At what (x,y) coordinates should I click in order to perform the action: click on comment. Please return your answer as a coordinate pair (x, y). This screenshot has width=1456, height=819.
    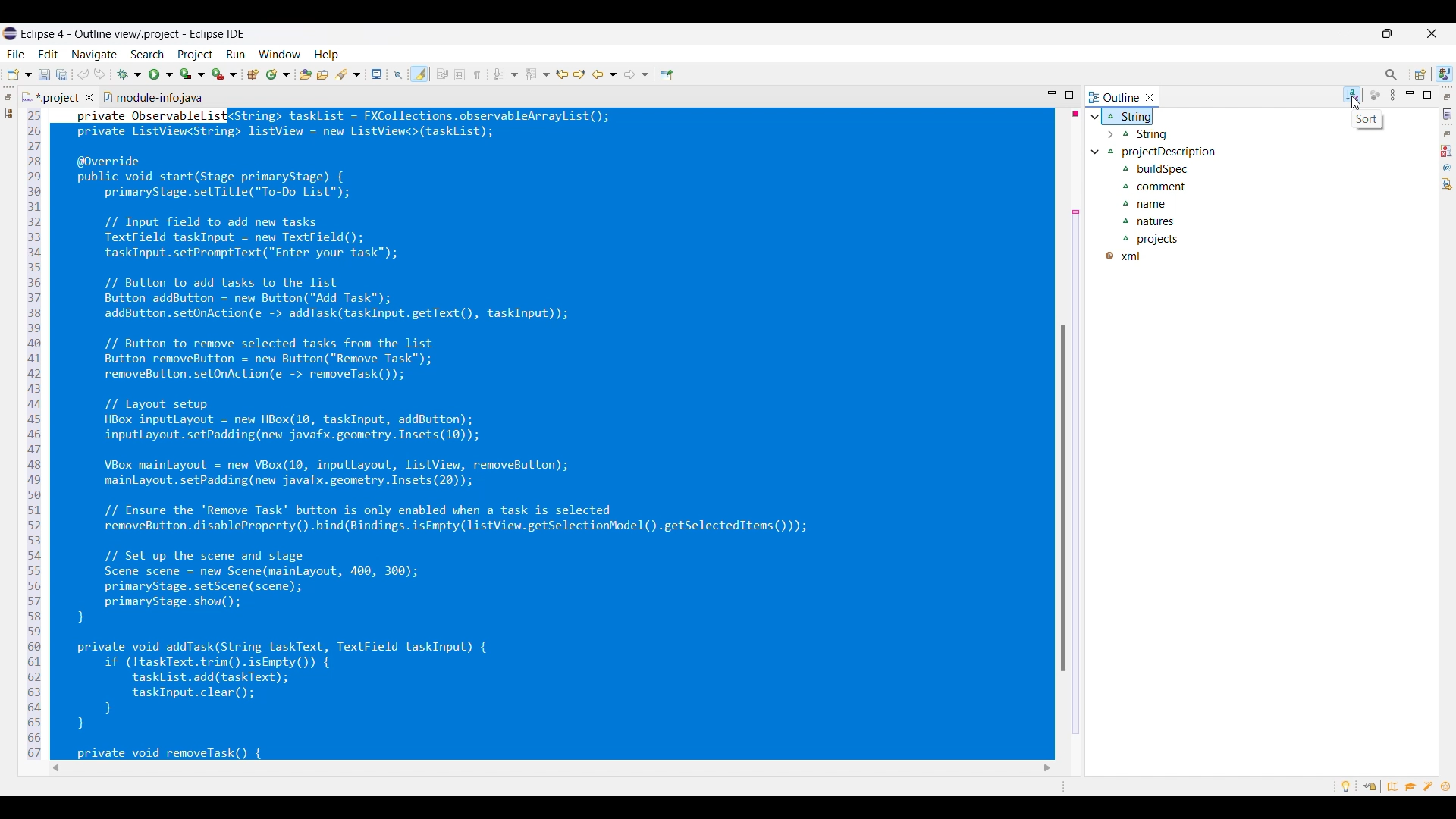
    Looking at the image, I should click on (1155, 187).